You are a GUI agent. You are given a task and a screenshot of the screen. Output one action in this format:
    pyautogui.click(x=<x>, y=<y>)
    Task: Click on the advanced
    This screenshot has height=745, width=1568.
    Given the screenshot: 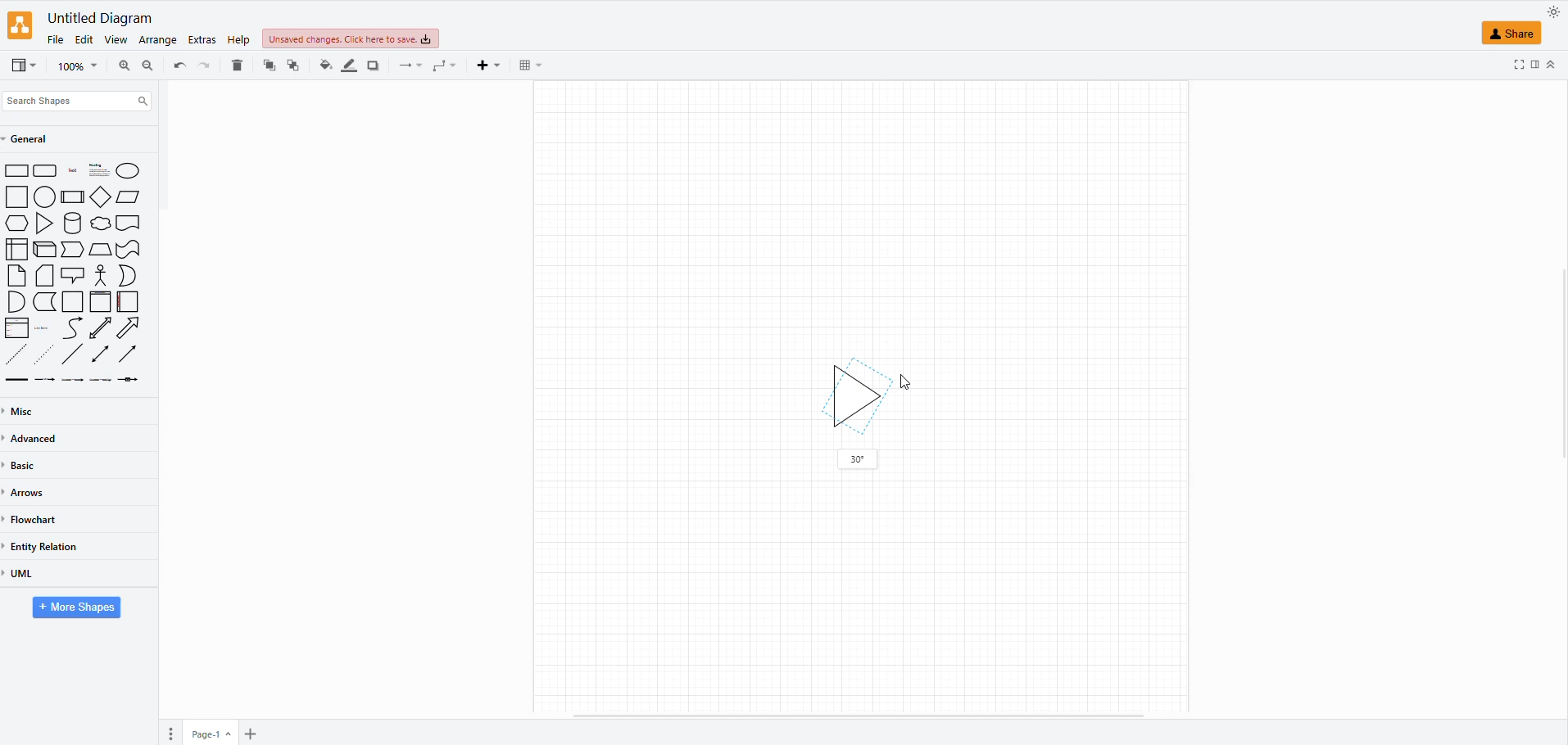 What is the action you would take?
    pyautogui.click(x=38, y=439)
    